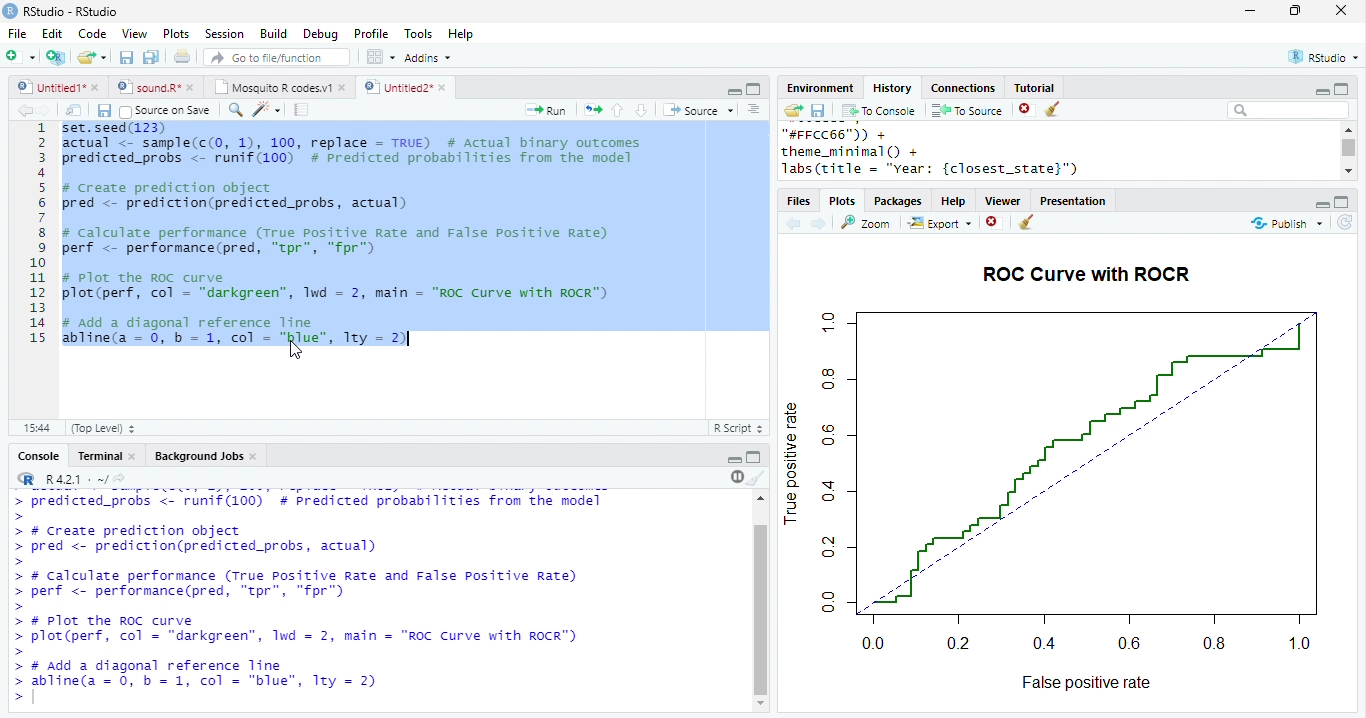  I want to click on run, so click(545, 110).